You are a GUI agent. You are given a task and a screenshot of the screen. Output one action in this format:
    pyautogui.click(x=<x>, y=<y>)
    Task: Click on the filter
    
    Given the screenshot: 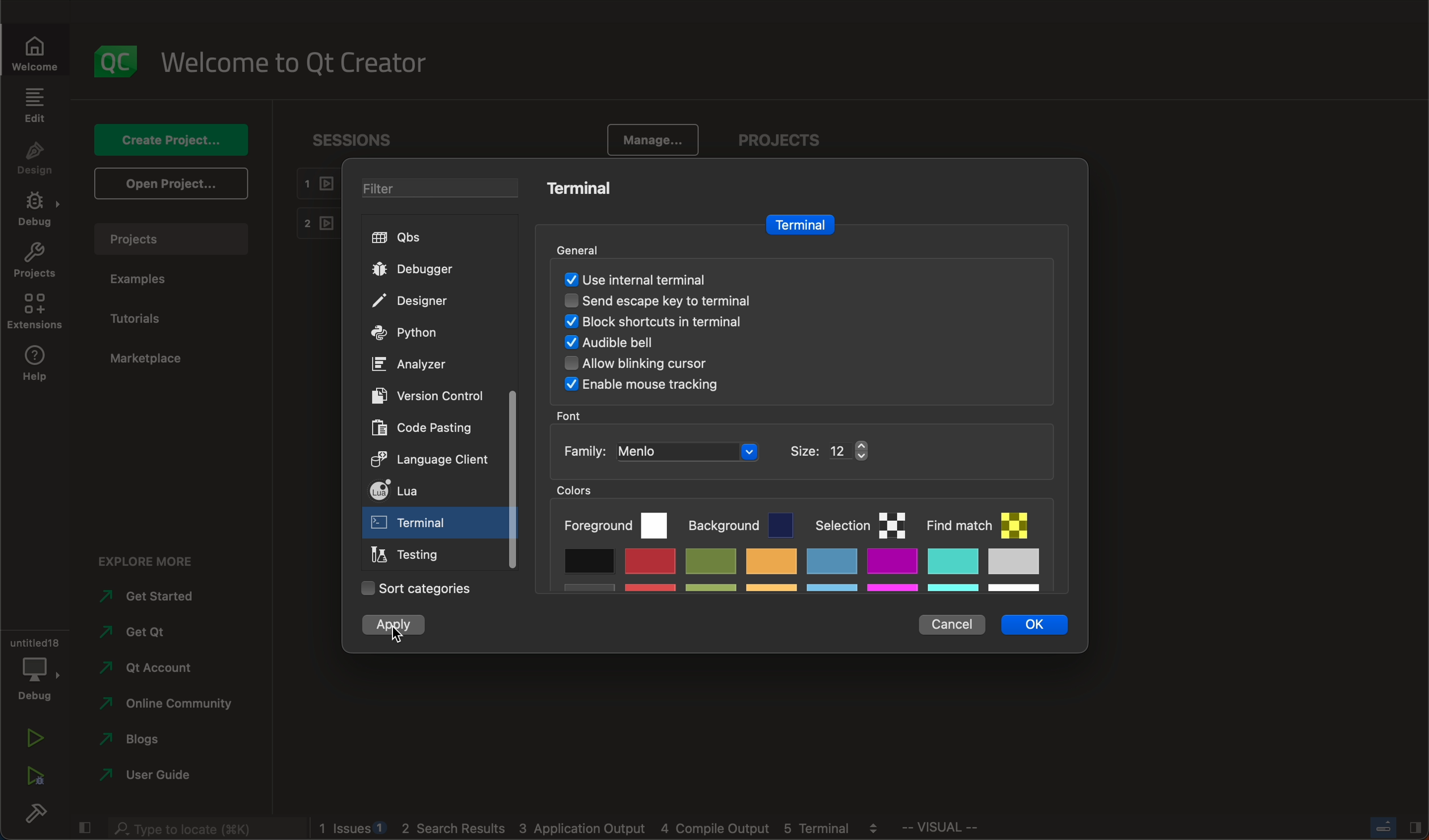 What is the action you would take?
    pyautogui.click(x=429, y=185)
    